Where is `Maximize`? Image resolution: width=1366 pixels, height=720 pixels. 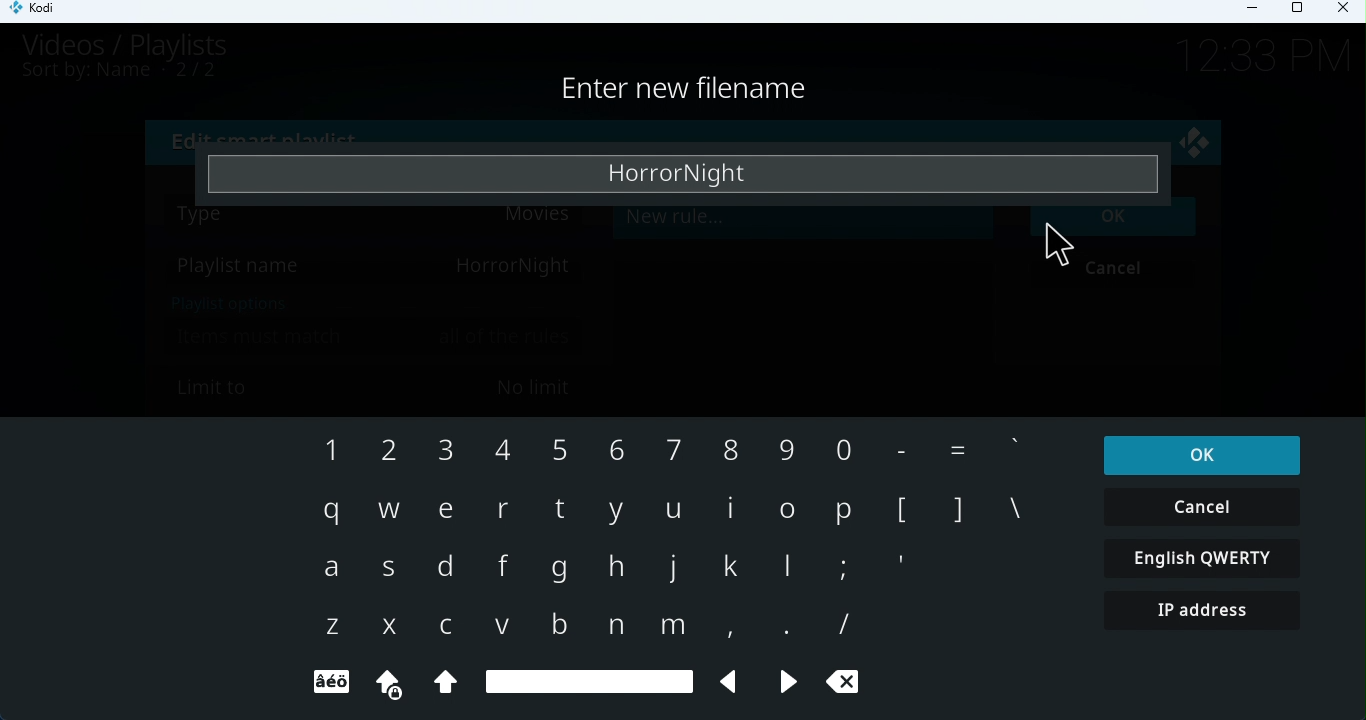 Maximize is located at coordinates (1301, 9).